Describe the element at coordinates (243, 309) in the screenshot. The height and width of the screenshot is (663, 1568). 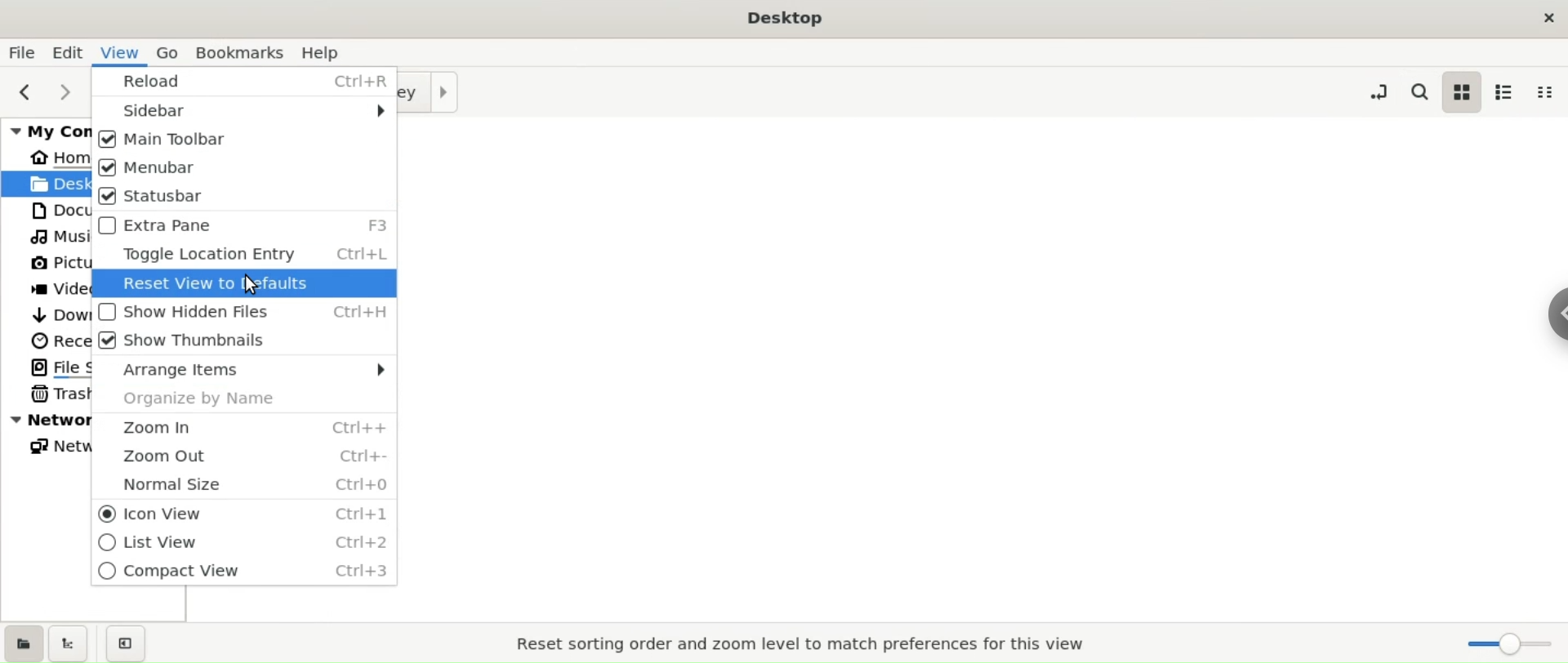
I see `show hidden files` at that location.